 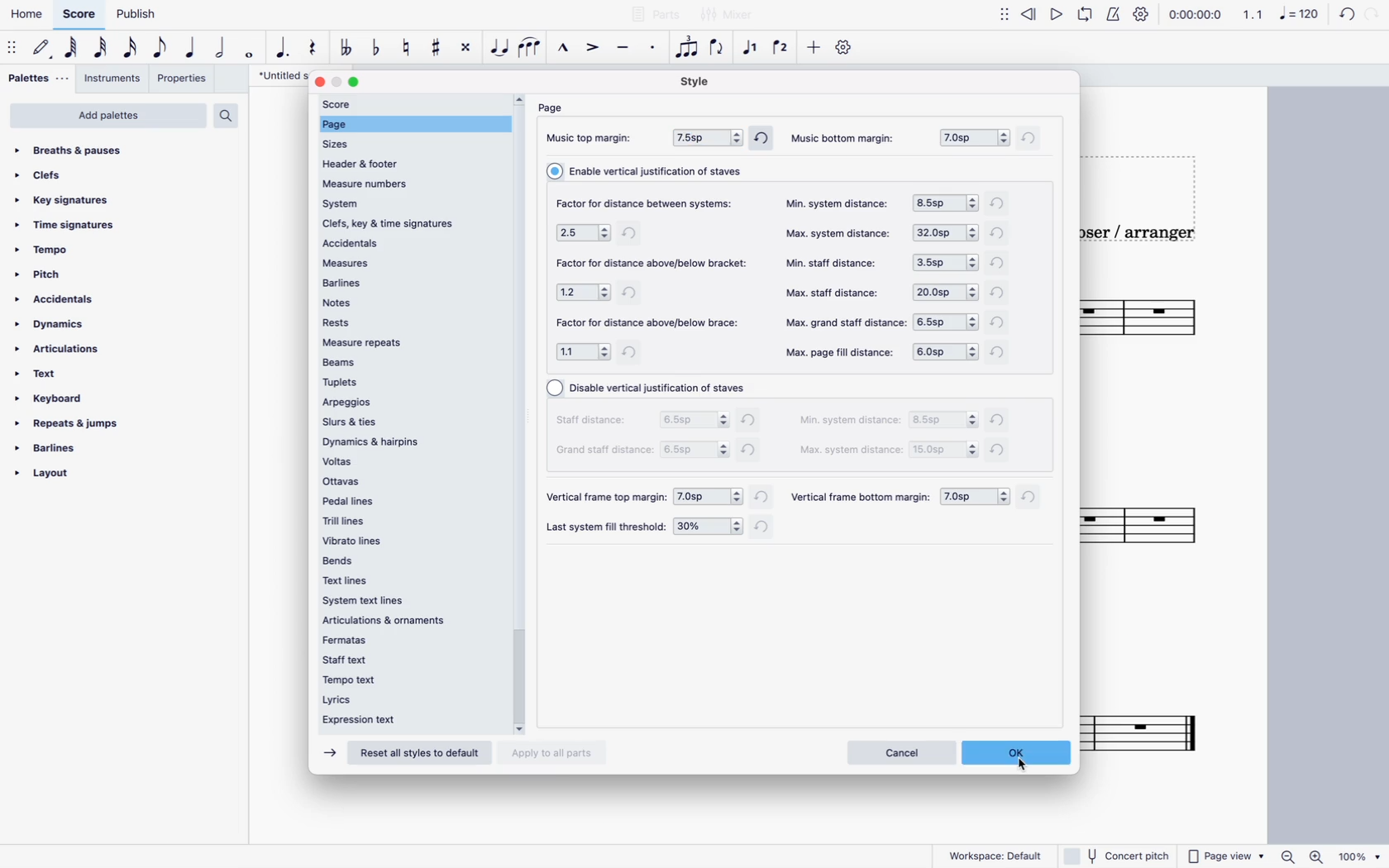 What do you see at coordinates (1141, 16) in the screenshot?
I see `playback settings` at bounding box center [1141, 16].